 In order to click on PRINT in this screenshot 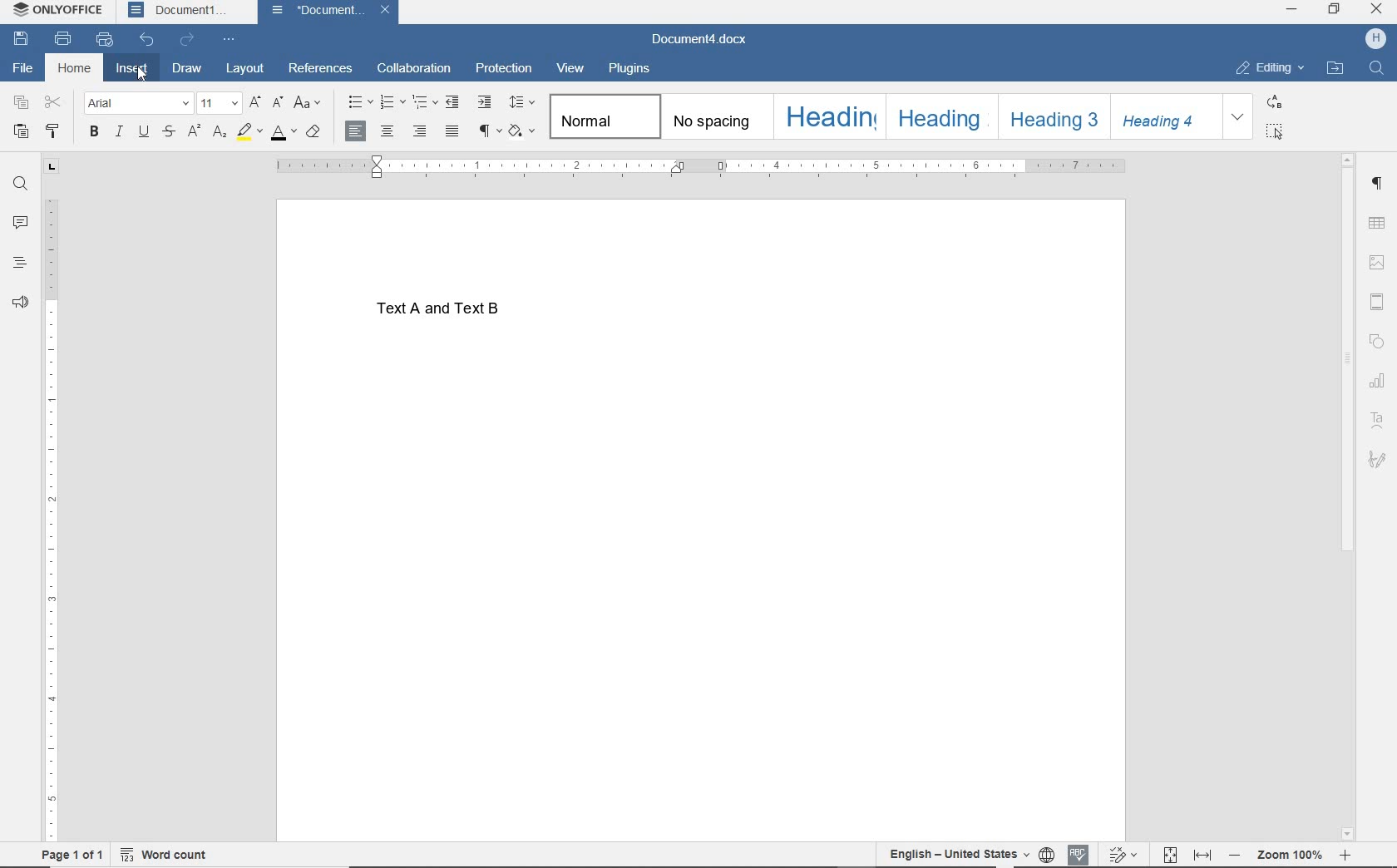, I will do `click(62, 40)`.